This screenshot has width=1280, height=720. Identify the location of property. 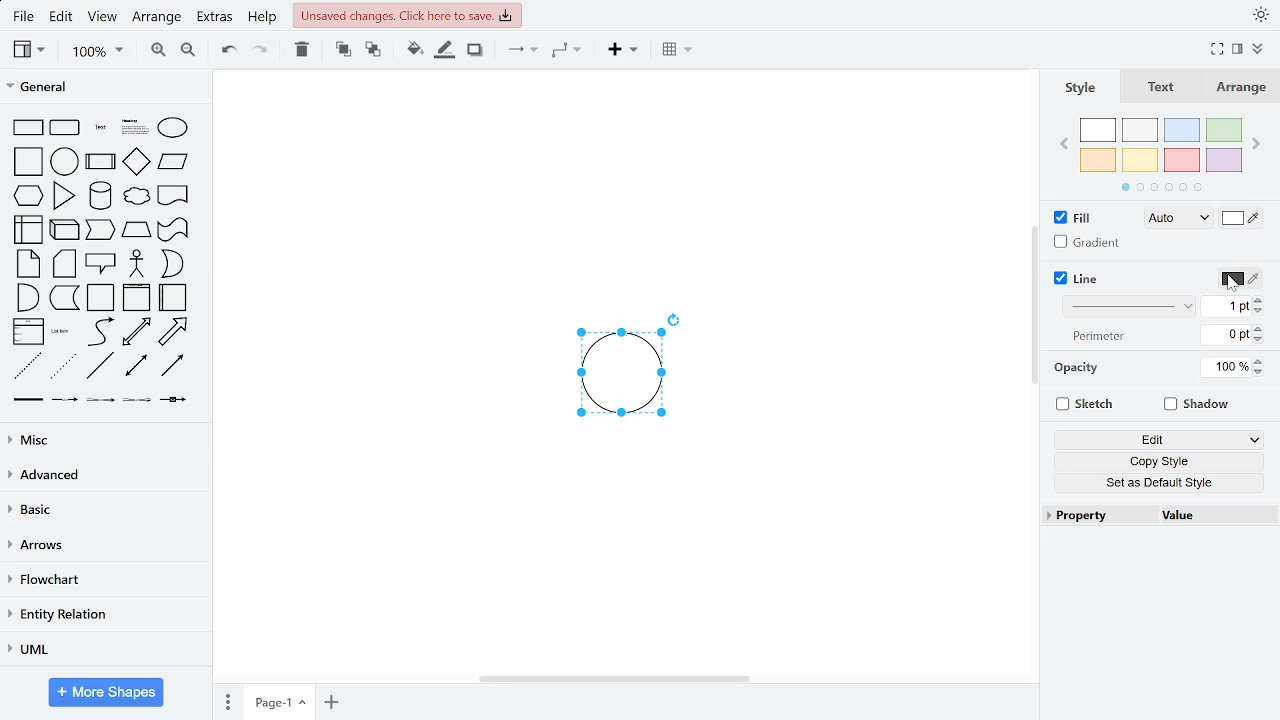
(1097, 516).